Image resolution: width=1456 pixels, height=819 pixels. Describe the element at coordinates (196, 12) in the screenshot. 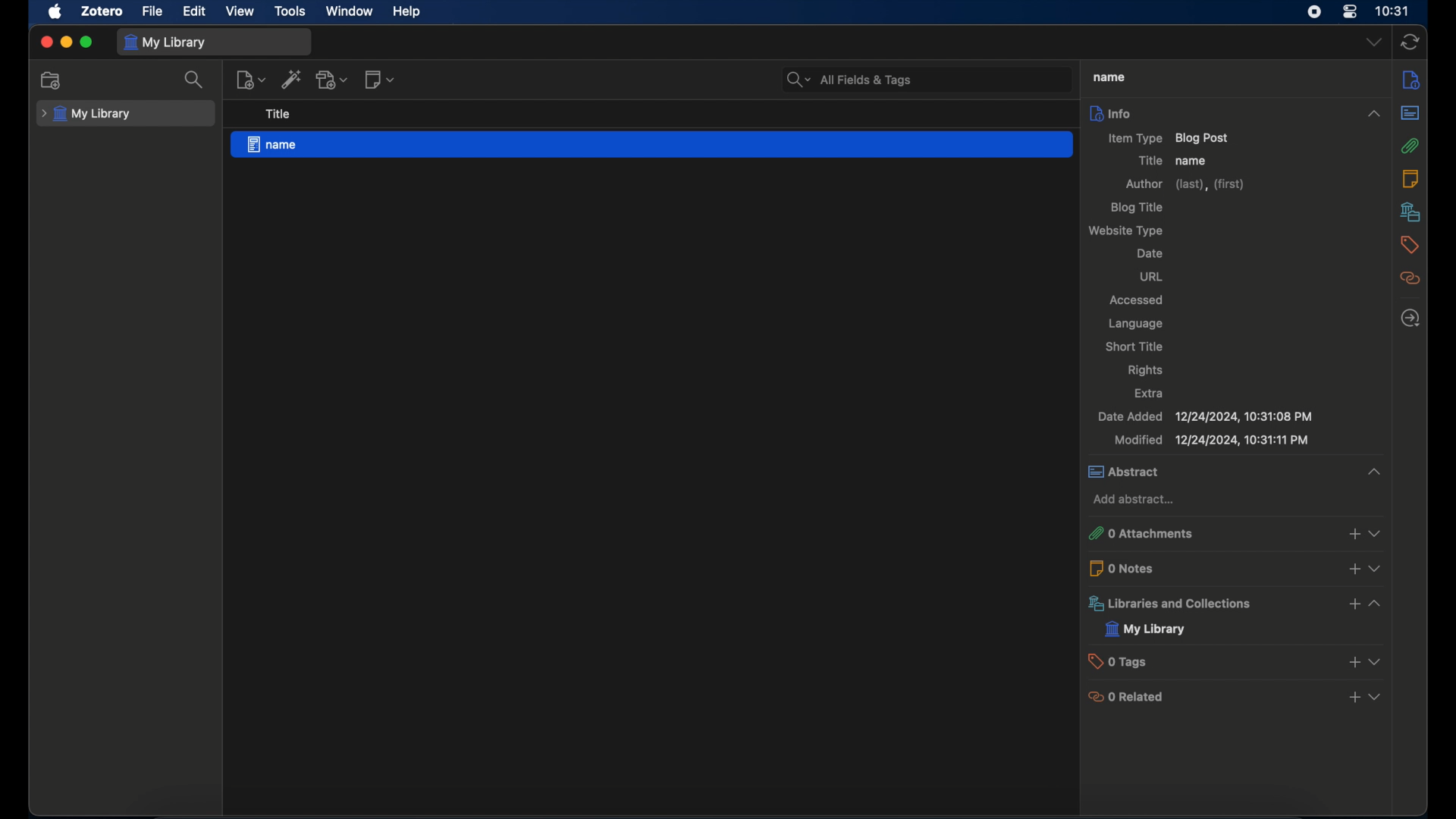

I see `edit` at that location.